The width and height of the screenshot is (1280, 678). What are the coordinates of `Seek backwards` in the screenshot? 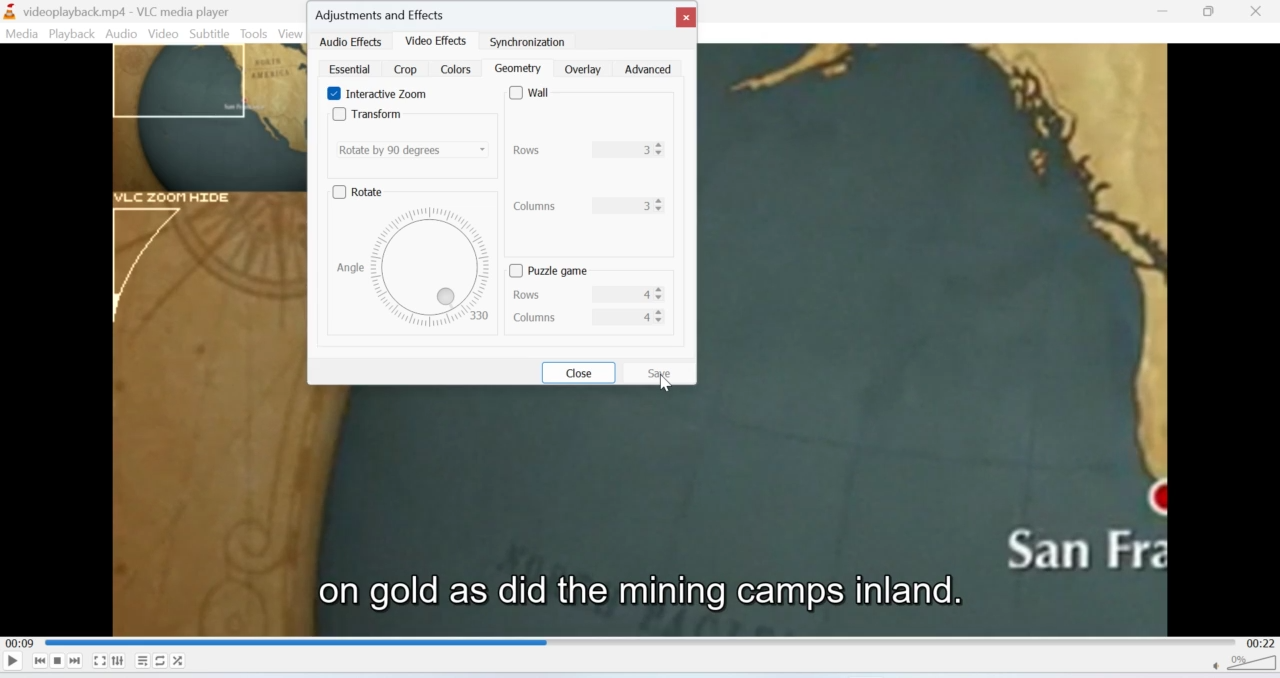 It's located at (40, 661).